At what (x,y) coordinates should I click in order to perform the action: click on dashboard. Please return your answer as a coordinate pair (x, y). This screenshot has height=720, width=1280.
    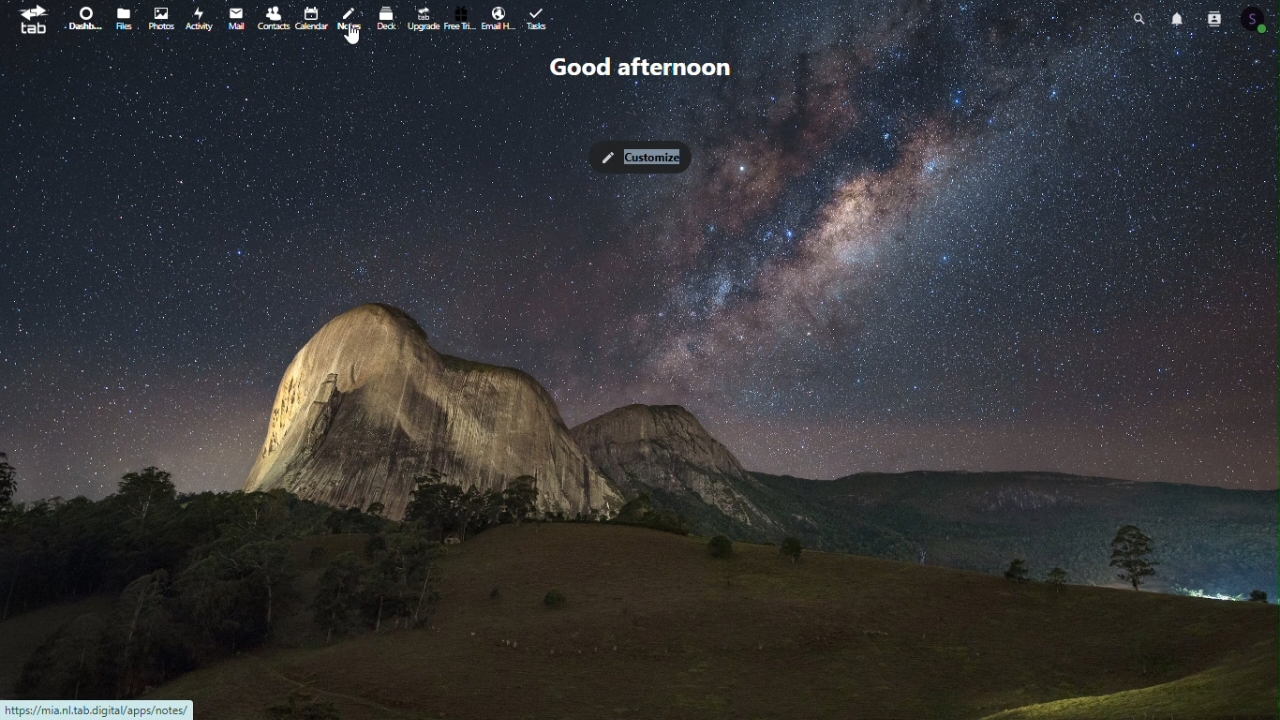
    Looking at the image, I should click on (79, 20).